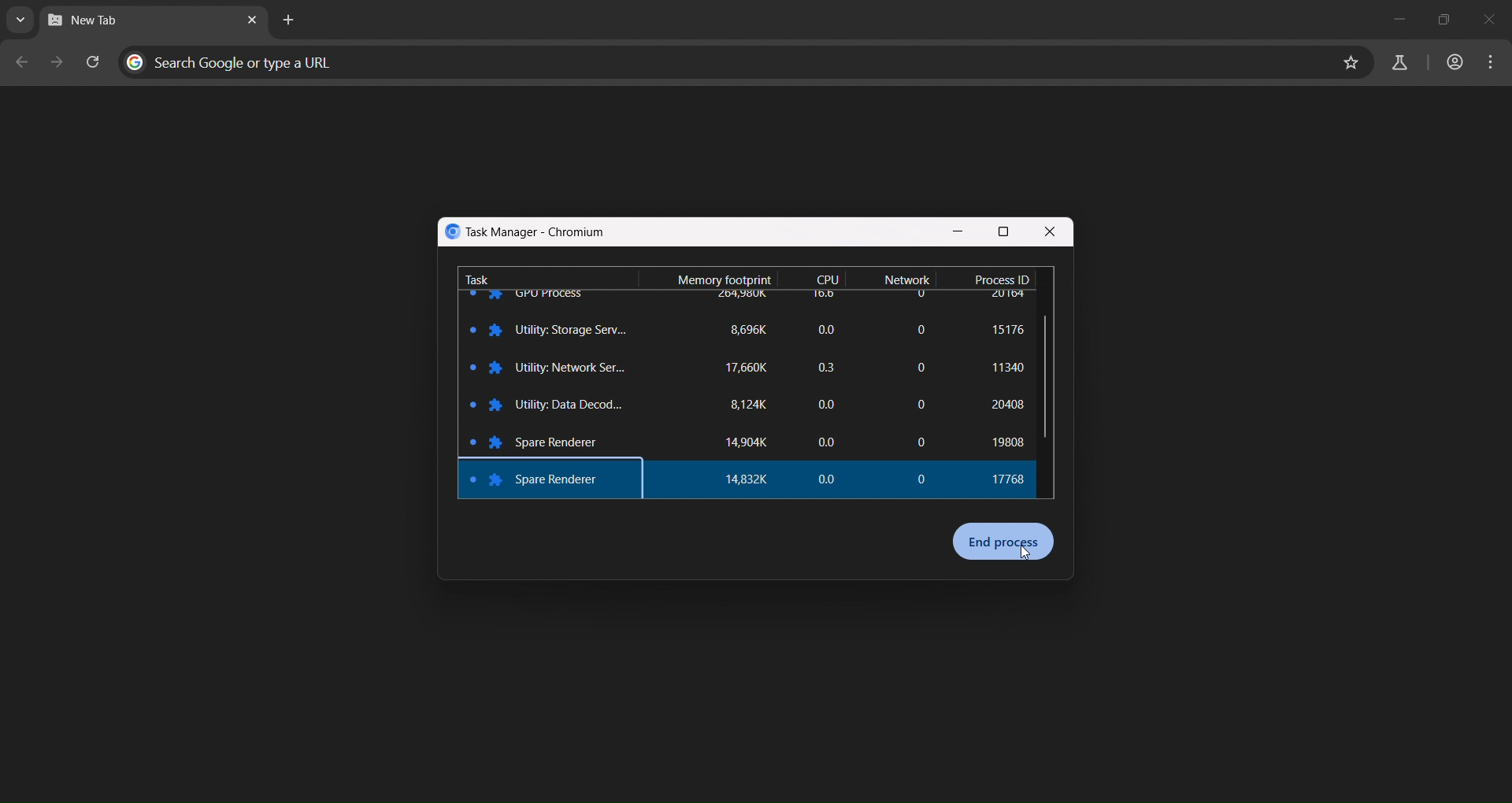 This screenshot has height=803, width=1512. What do you see at coordinates (1001, 403) in the screenshot?
I see `20408` at bounding box center [1001, 403].